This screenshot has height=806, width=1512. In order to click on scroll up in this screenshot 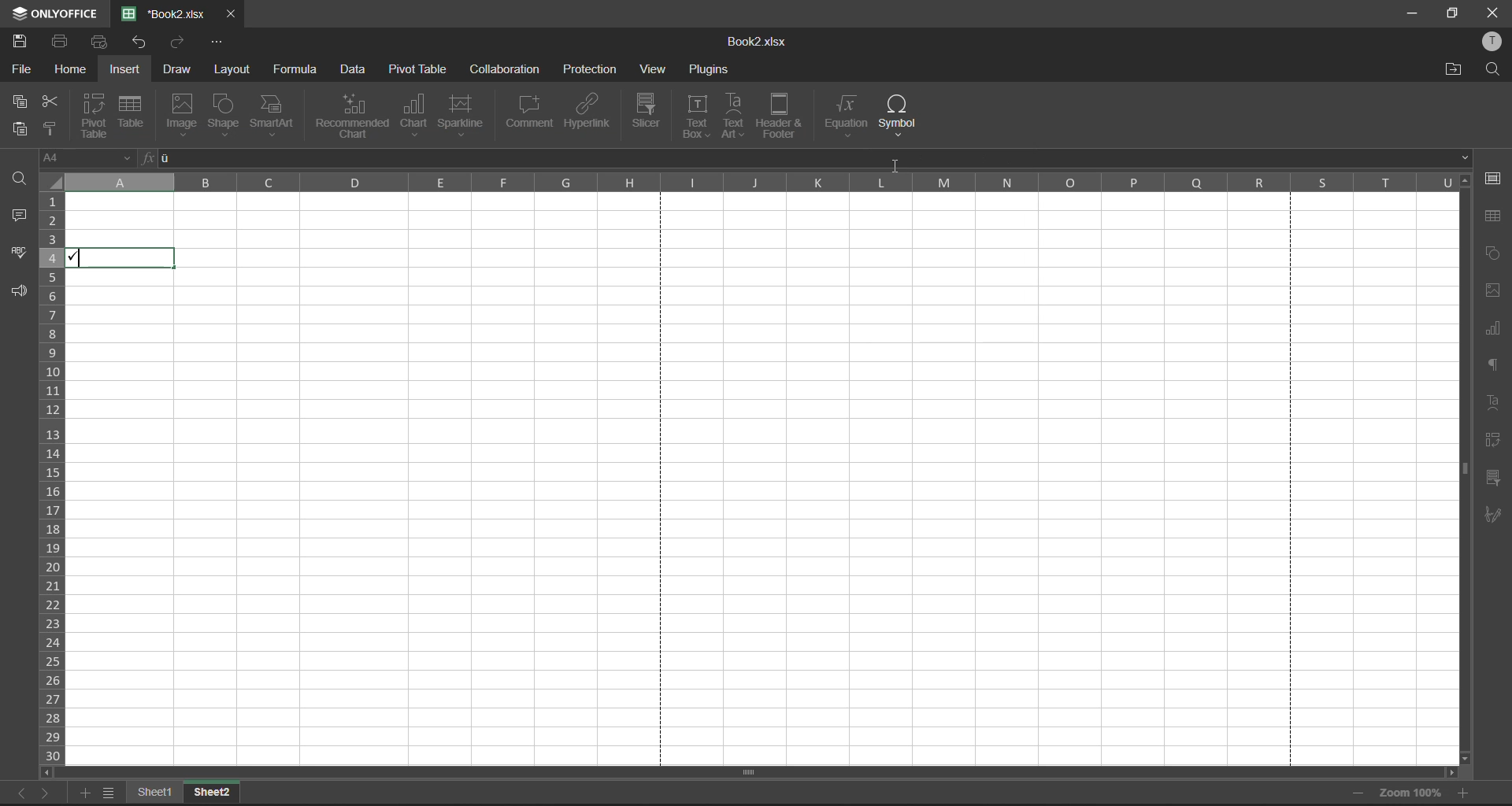, I will do `click(1466, 183)`.